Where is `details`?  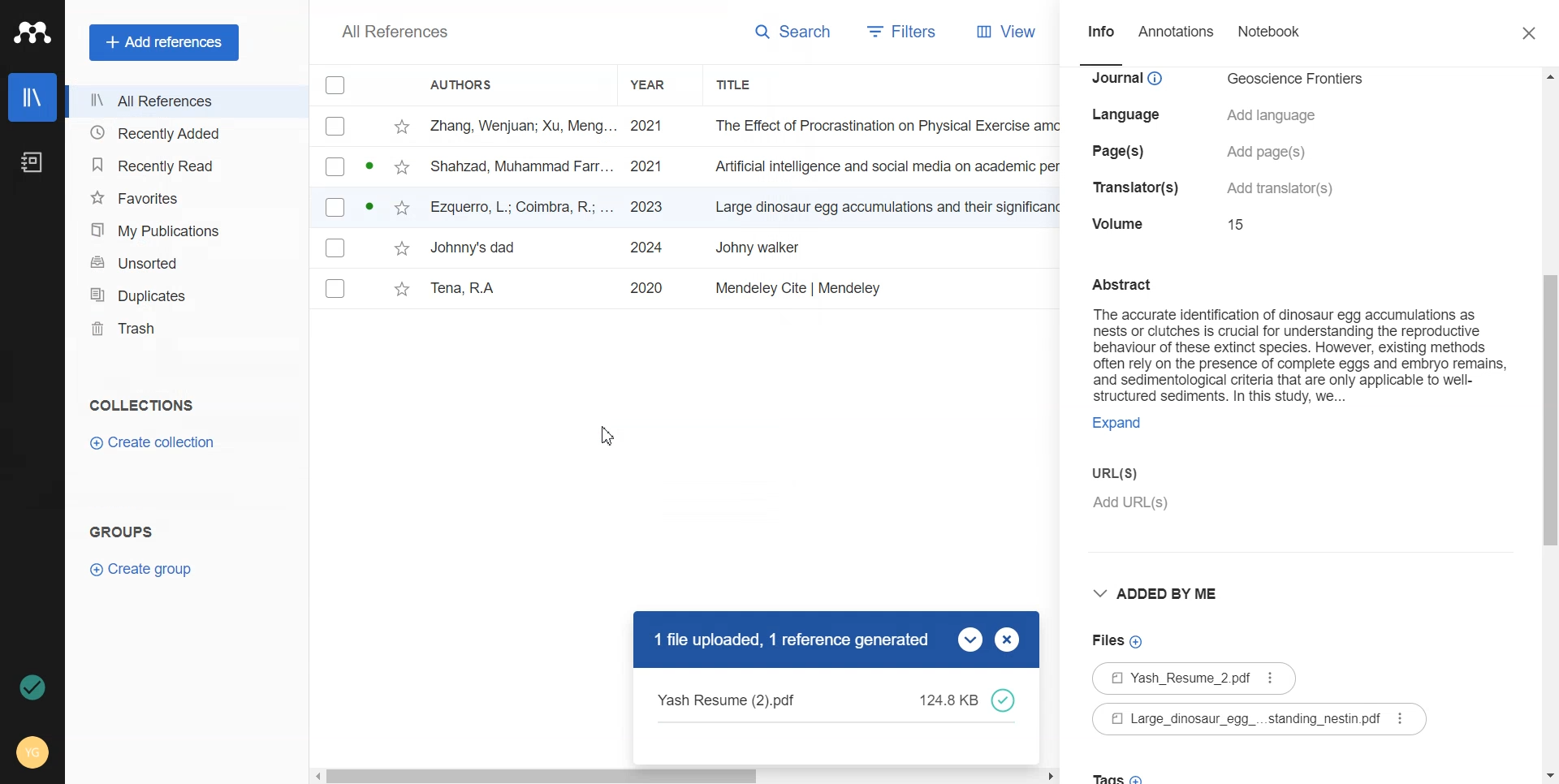
details is located at coordinates (1273, 116).